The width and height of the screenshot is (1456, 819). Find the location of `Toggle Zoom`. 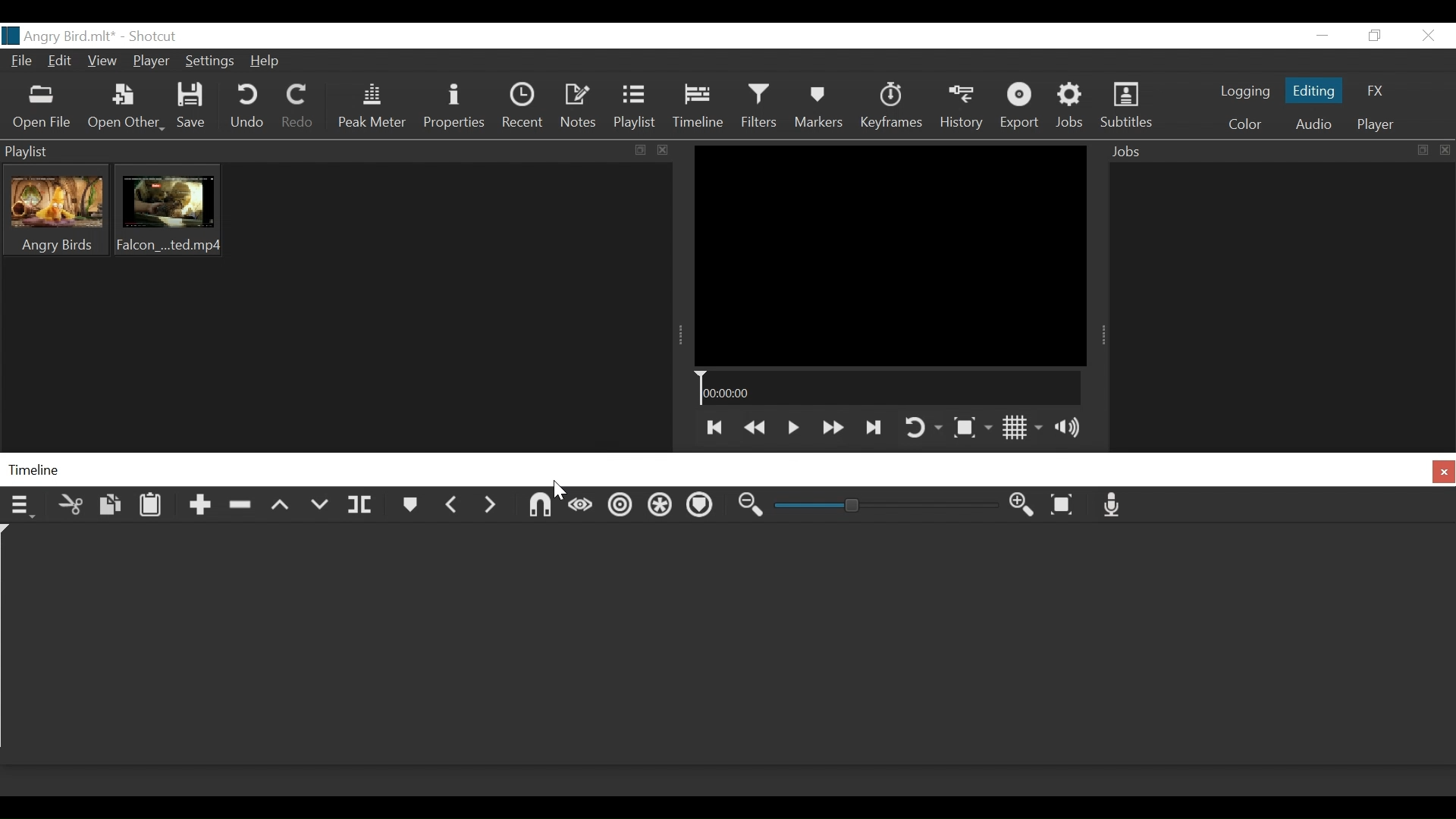

Toggle Zoom is located at coordinates (972, 430).